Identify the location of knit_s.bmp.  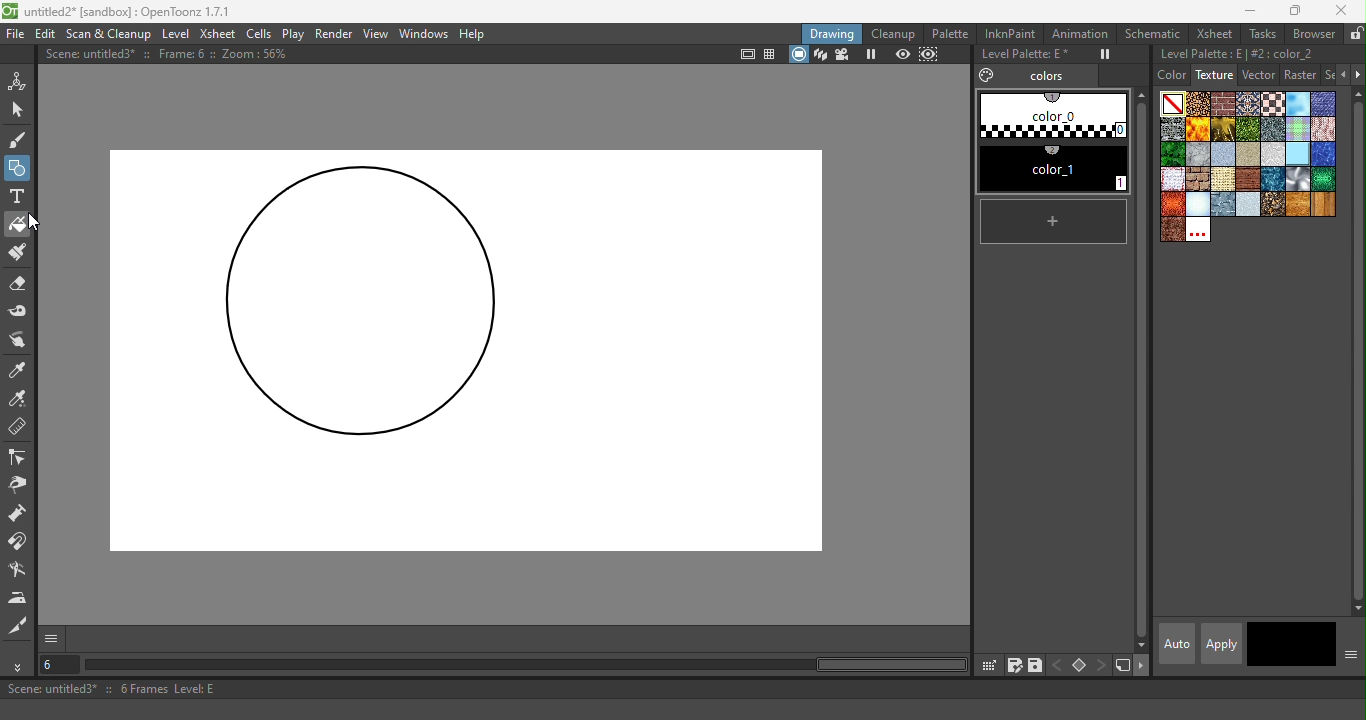
(1323, 129).